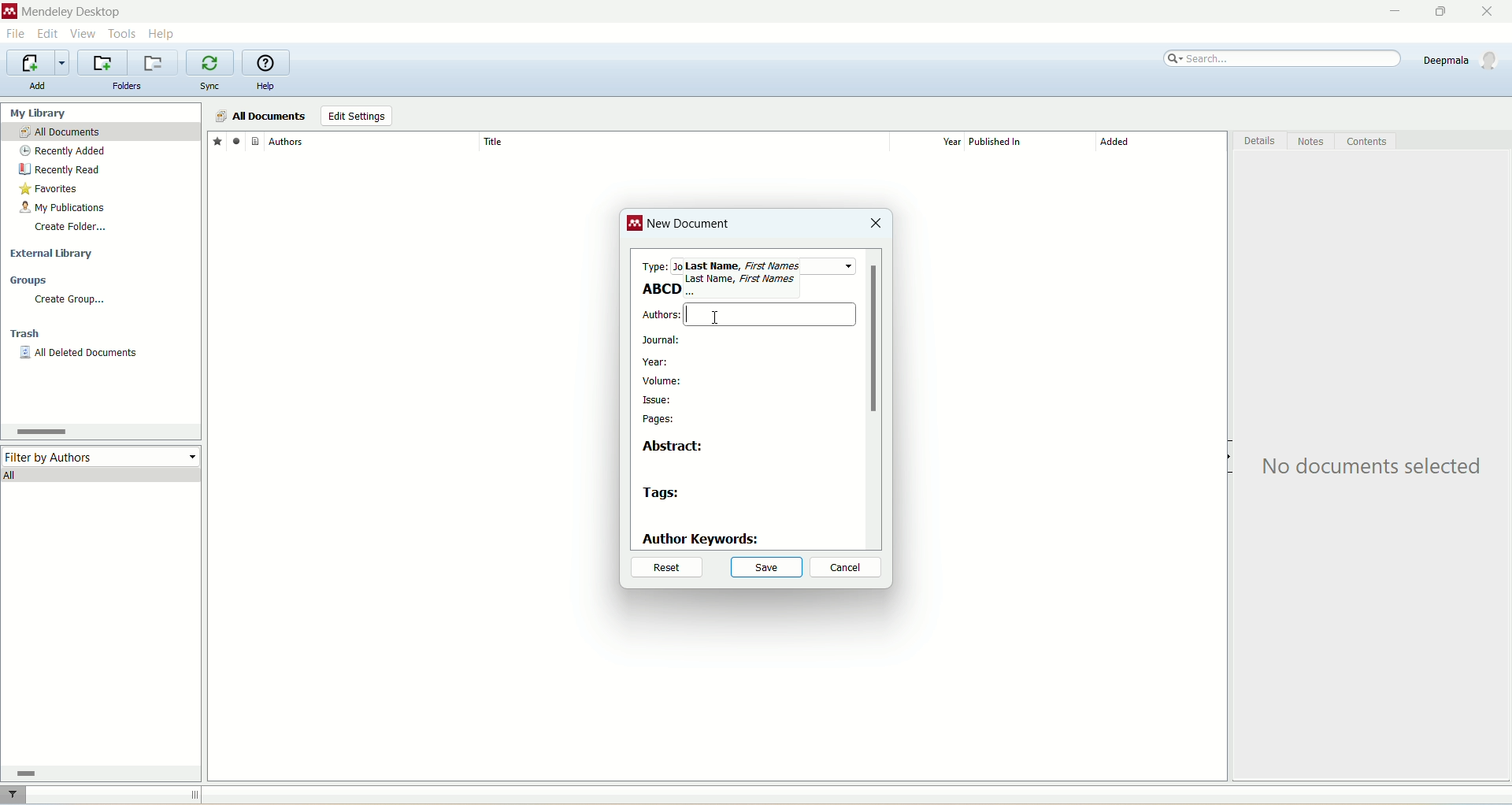 The width and height of the screenshot is (1512, 805). Describe the element at coordinates (743, 272) in the screenshot. I see `test` at that location.